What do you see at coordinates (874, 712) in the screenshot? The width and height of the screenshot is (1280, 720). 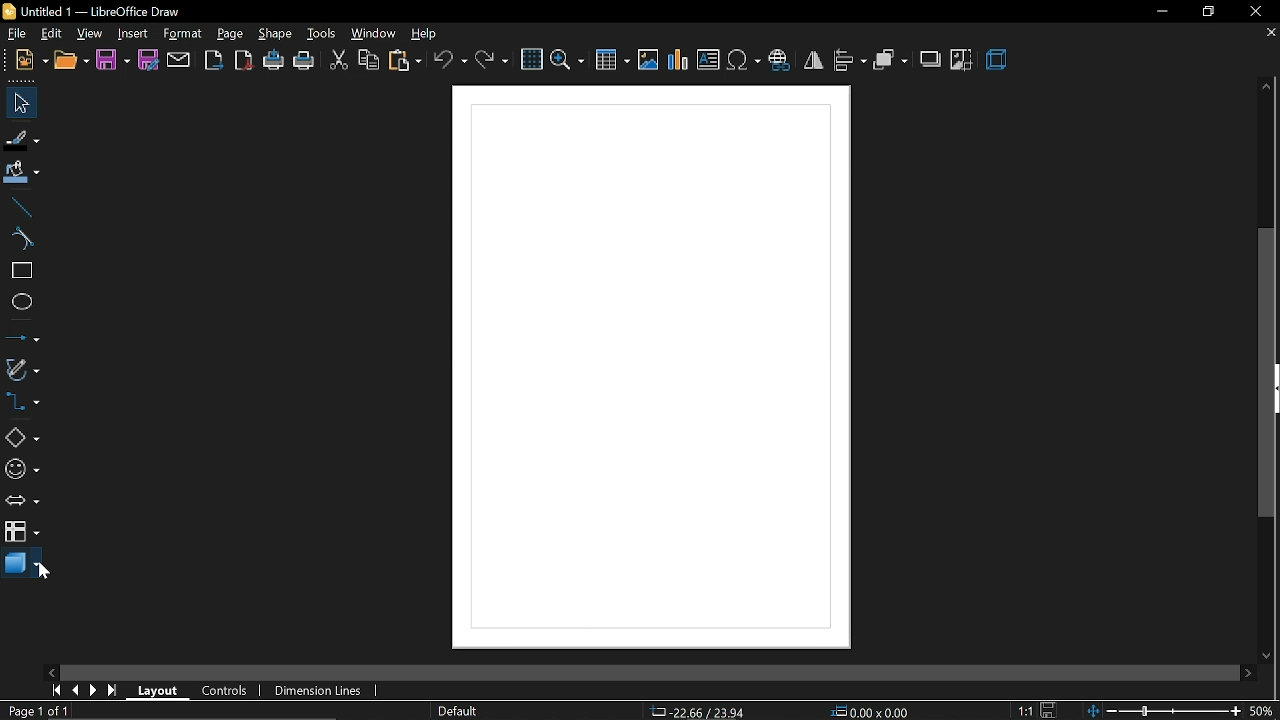 I see `0.00x0.00` at bounding box center [874, 712].